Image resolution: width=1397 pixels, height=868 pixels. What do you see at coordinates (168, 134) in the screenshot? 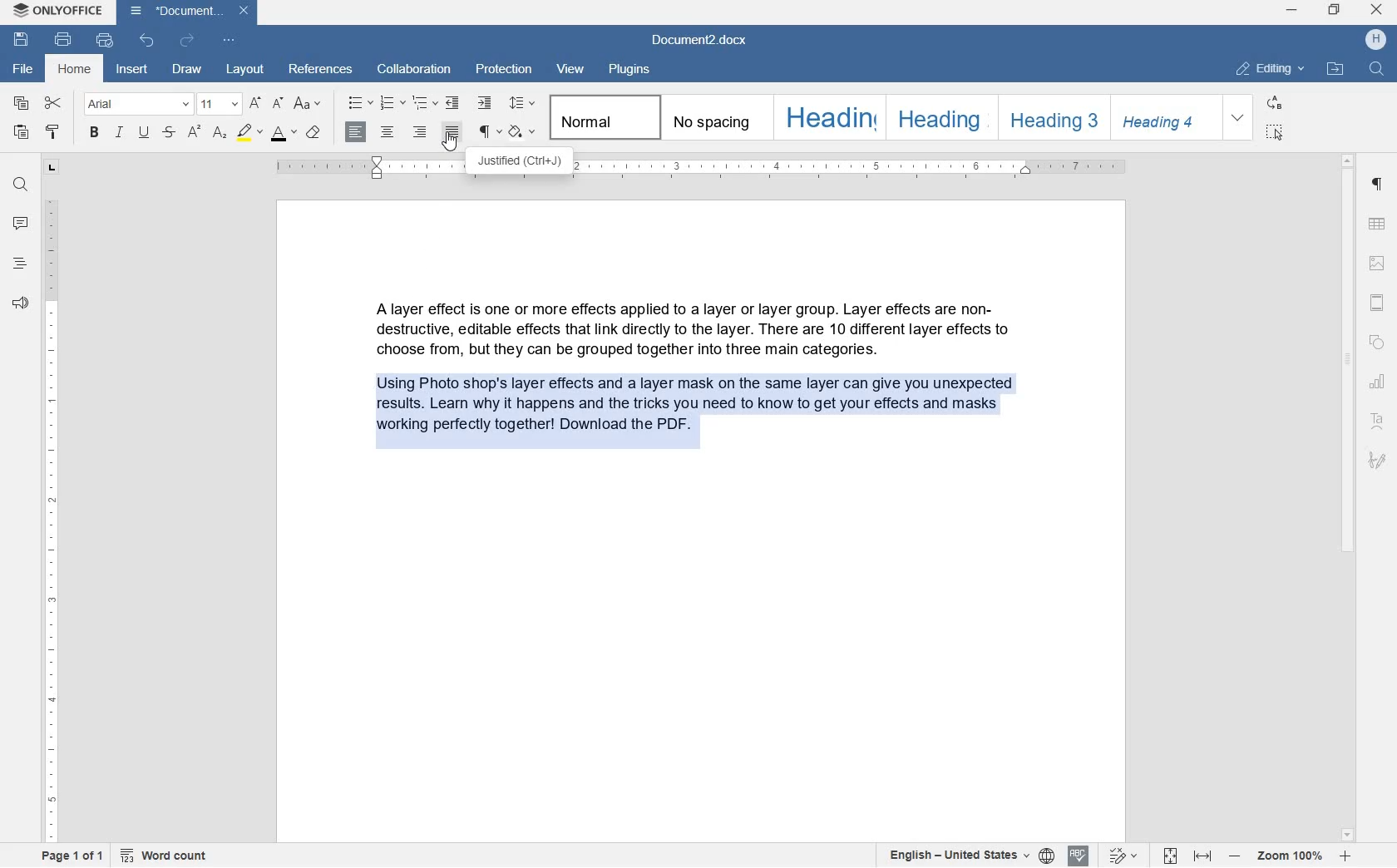
I see `STRIKETHROUGH` at bounding box center [168, 134].